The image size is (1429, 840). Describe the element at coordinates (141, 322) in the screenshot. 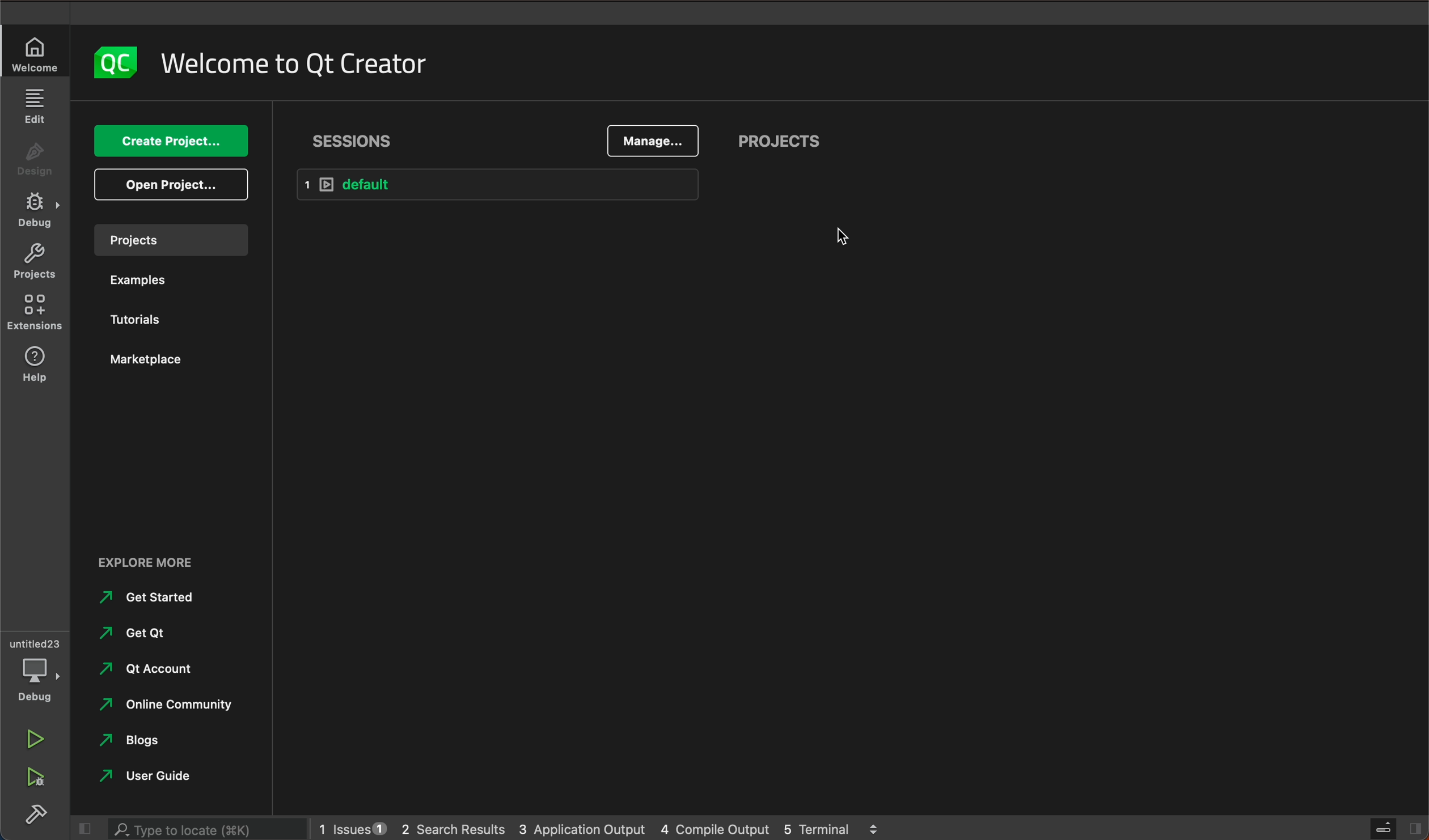

I see `tutorials` at that location.